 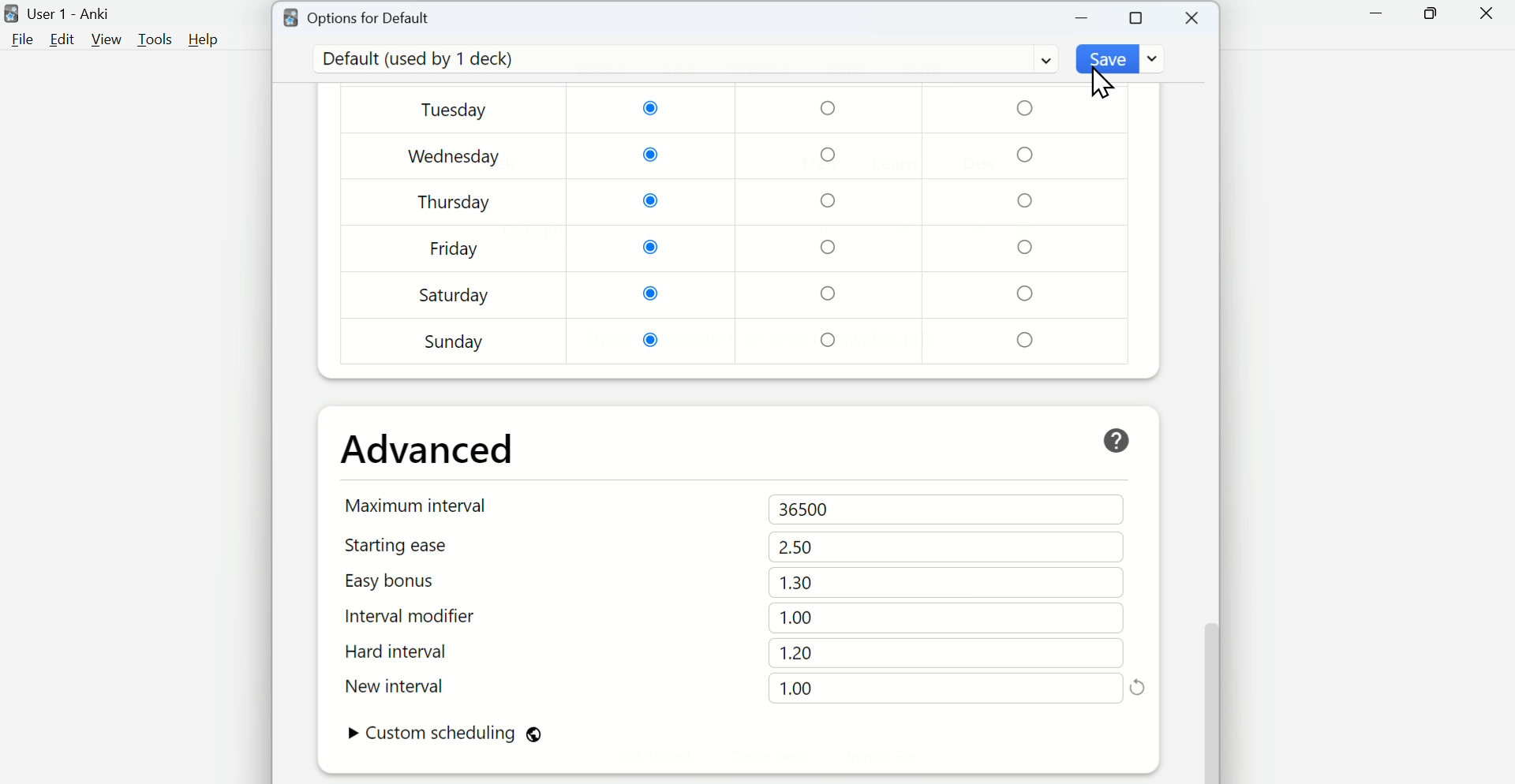 I want to click on Vertical scroll bar, so click(x=1210, y=407).